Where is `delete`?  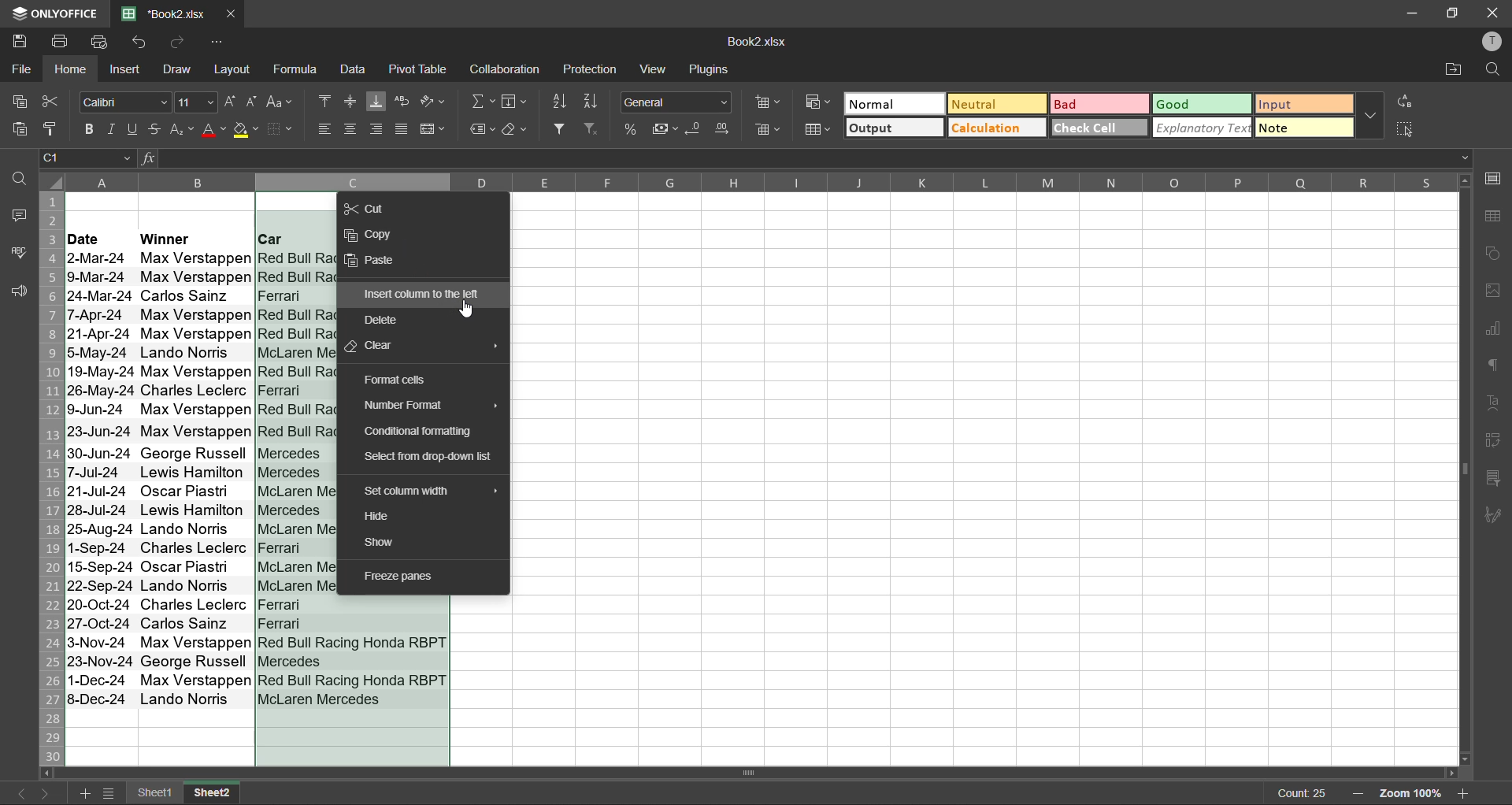 delete is located at coordinates (385, 319).